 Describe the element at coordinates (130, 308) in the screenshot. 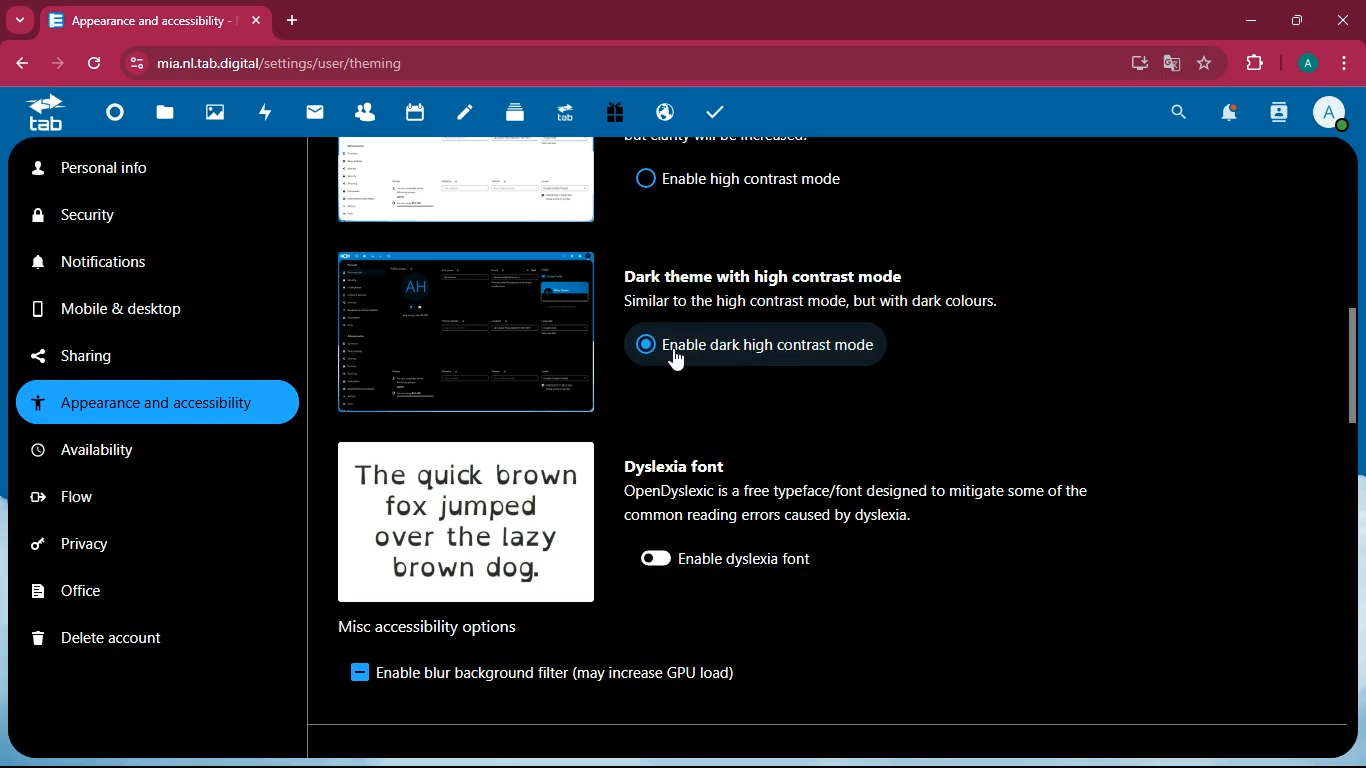

I see `mobile` at that location.